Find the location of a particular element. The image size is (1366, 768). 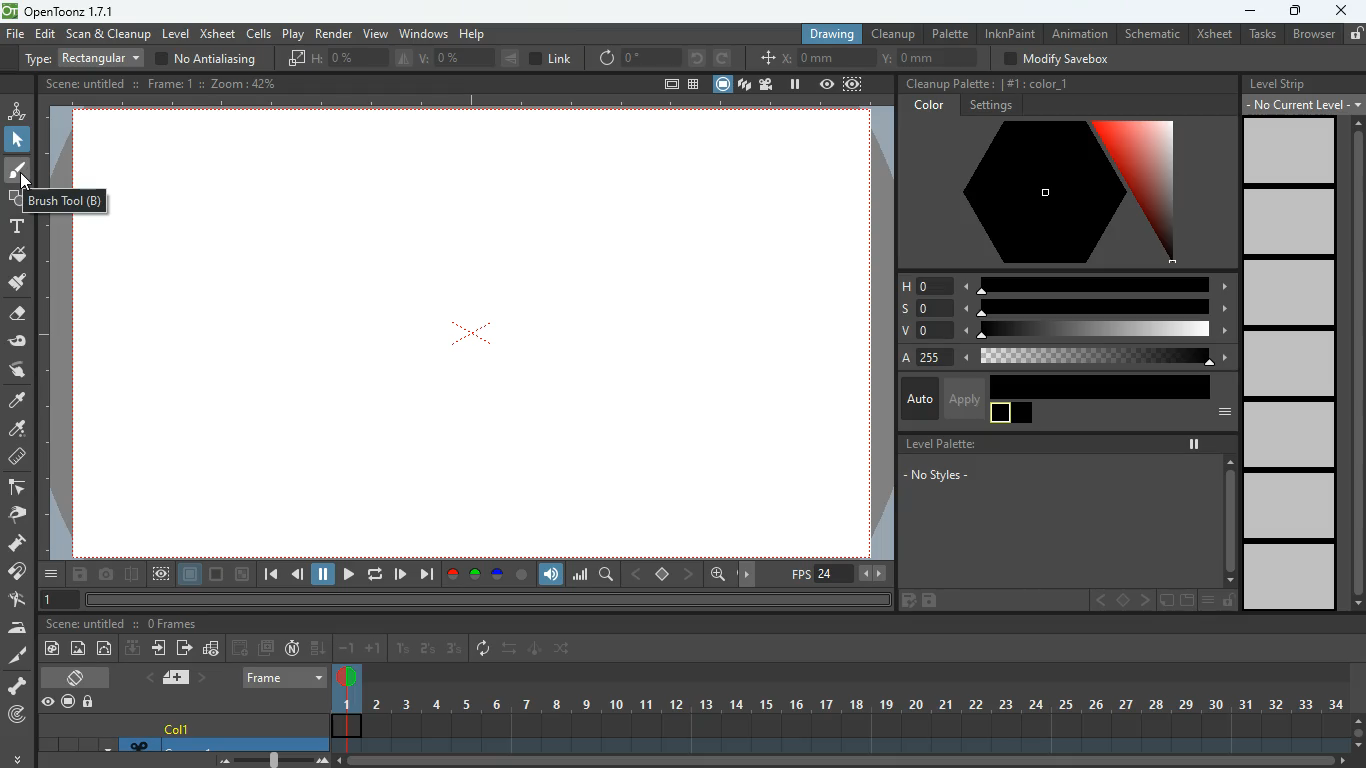

table is located at coordinates (694, 86).